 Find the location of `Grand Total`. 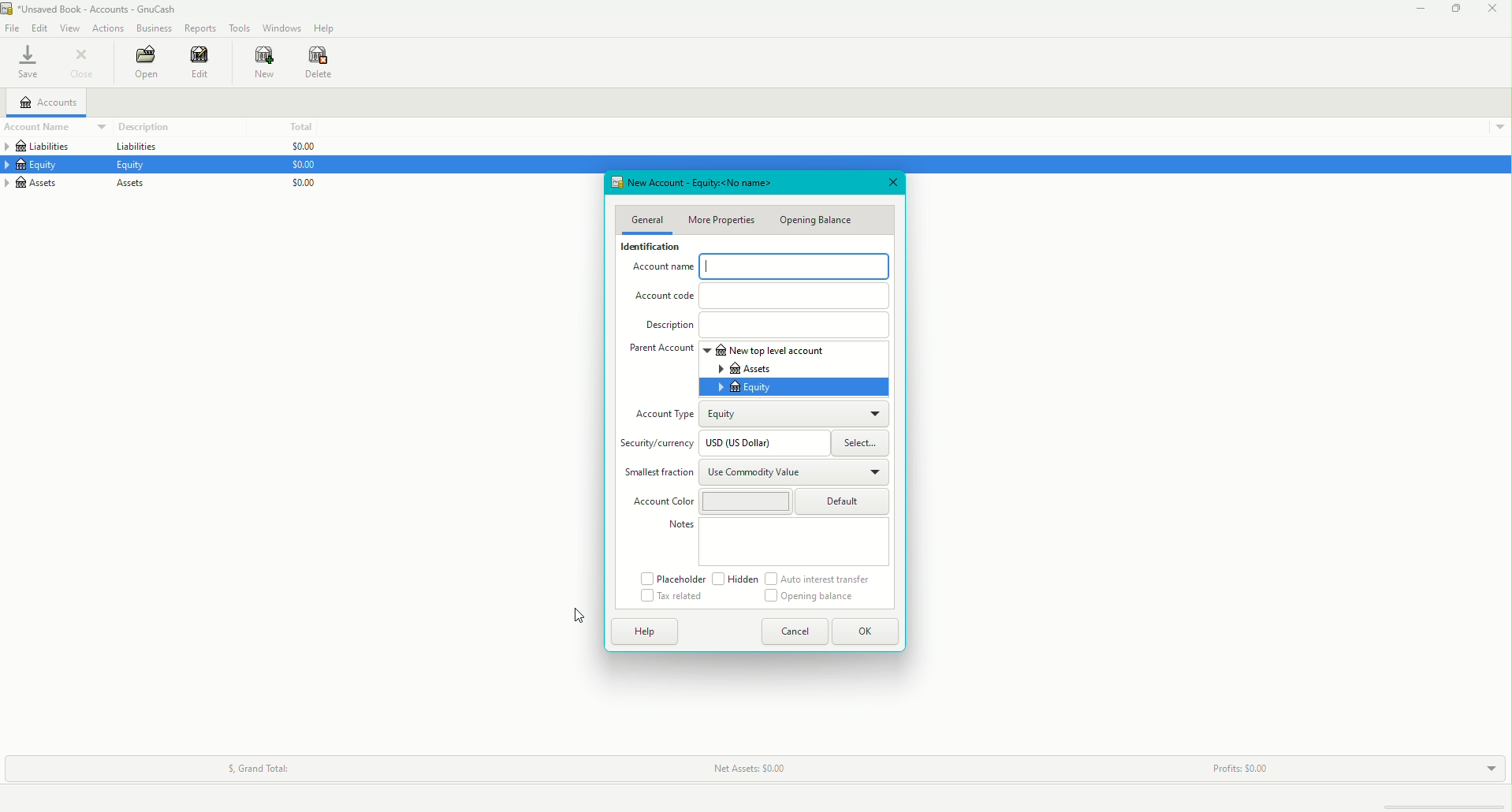

Grand Total is located at coordinates (257, 765).